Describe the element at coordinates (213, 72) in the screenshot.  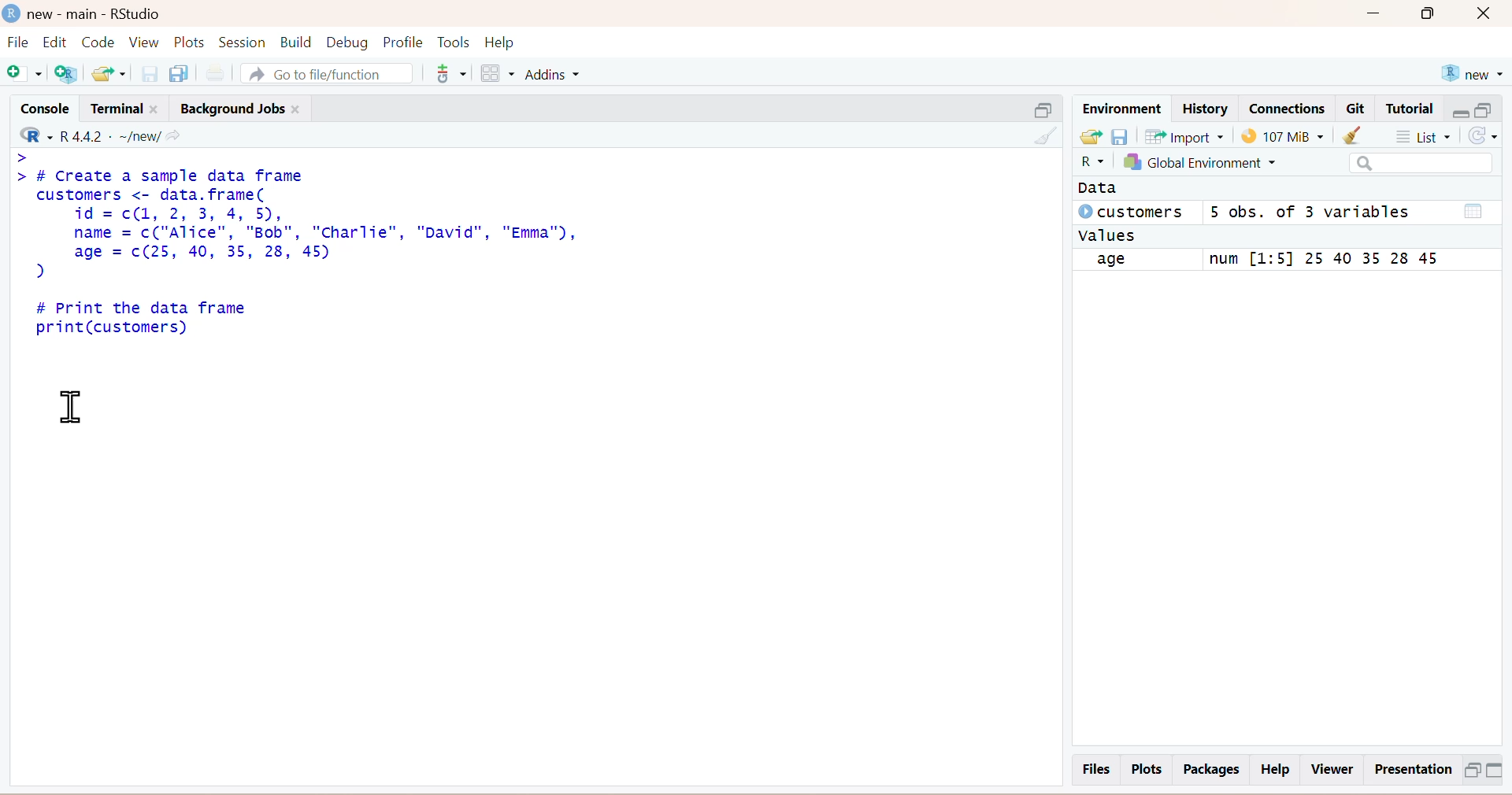
I see `Print the current files` at that location.